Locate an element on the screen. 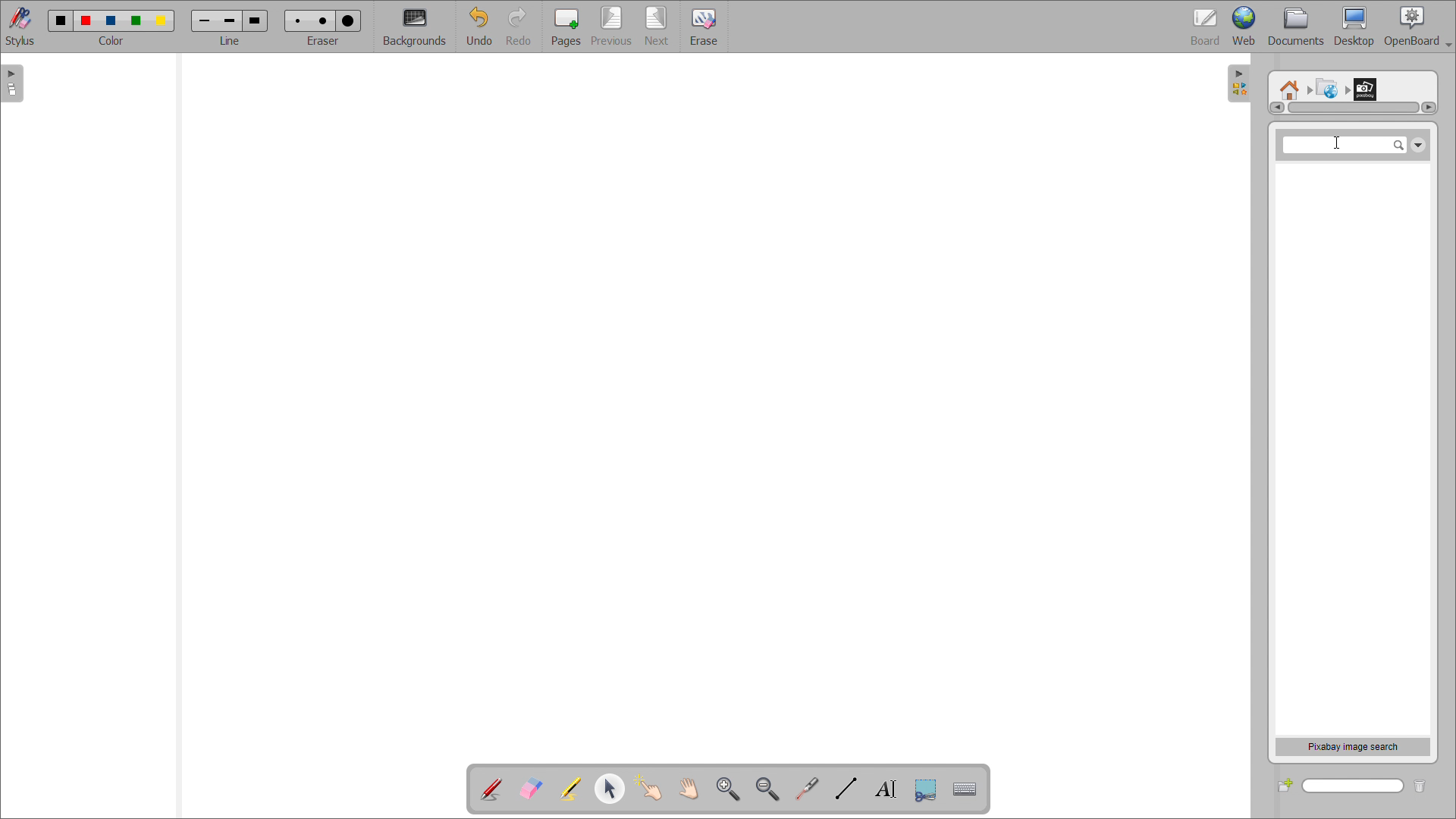 This screenshot has height=819, width=1456. write text is located at coordinates (886, 789).